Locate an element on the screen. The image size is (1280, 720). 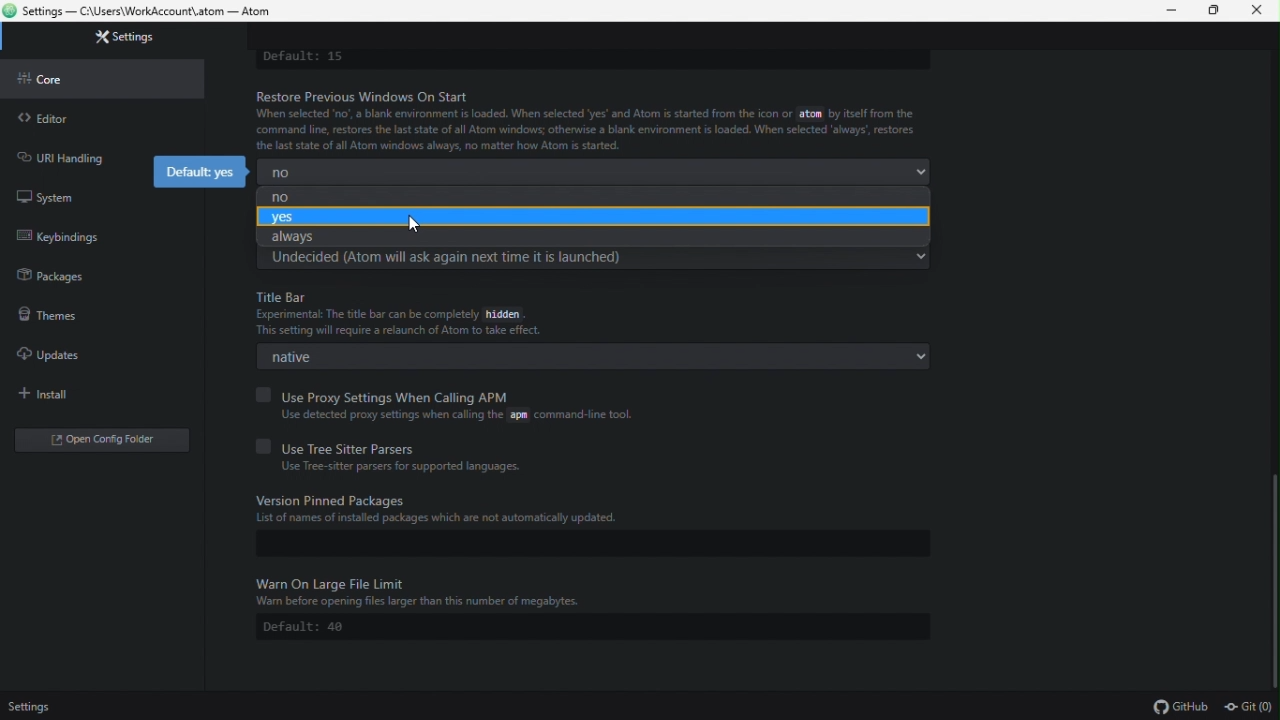
Use Tree Sitter Parsers is located at coordinates (342, 444).